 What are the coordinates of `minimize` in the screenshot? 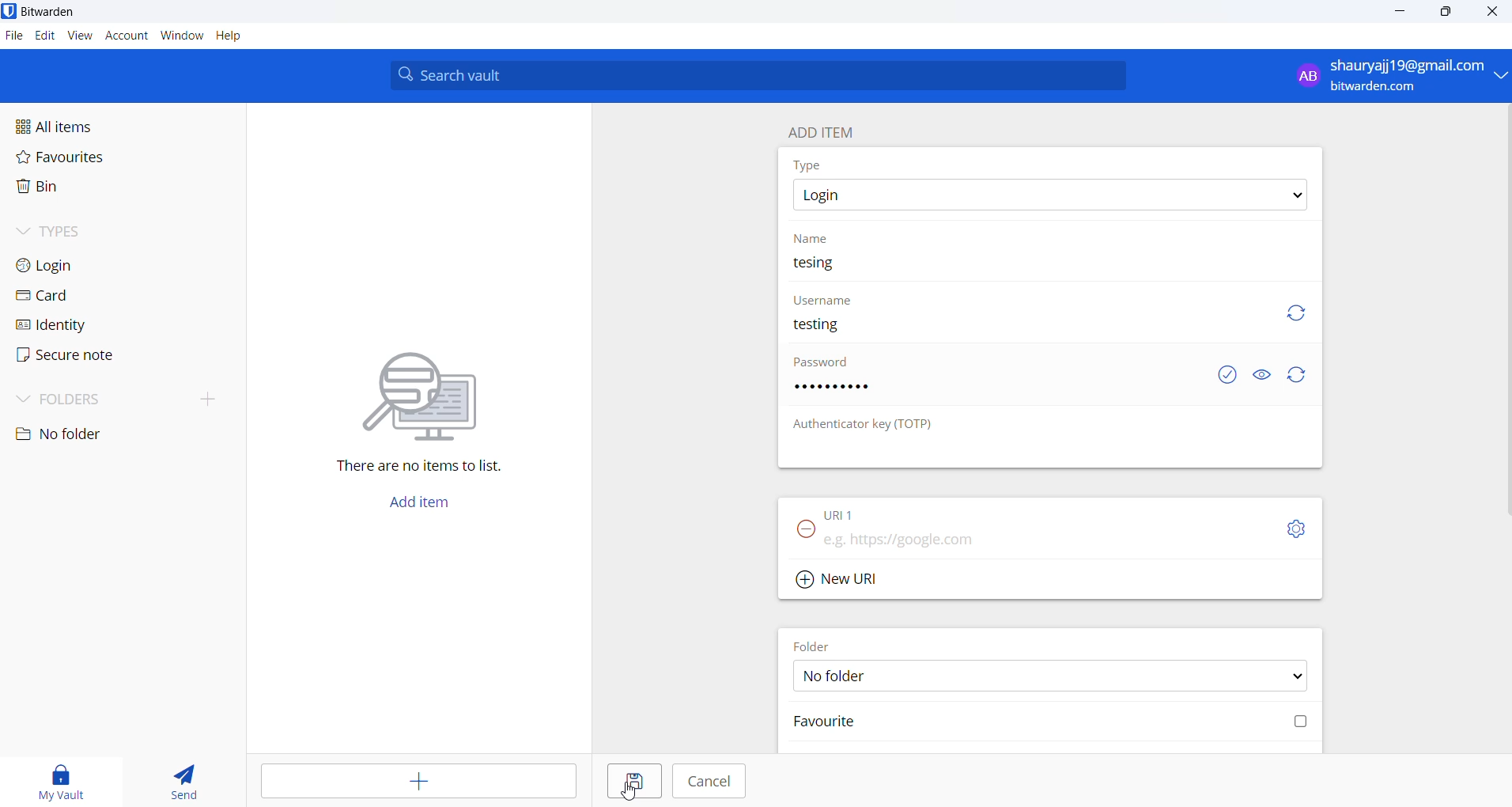 It's located at (1398, 16).